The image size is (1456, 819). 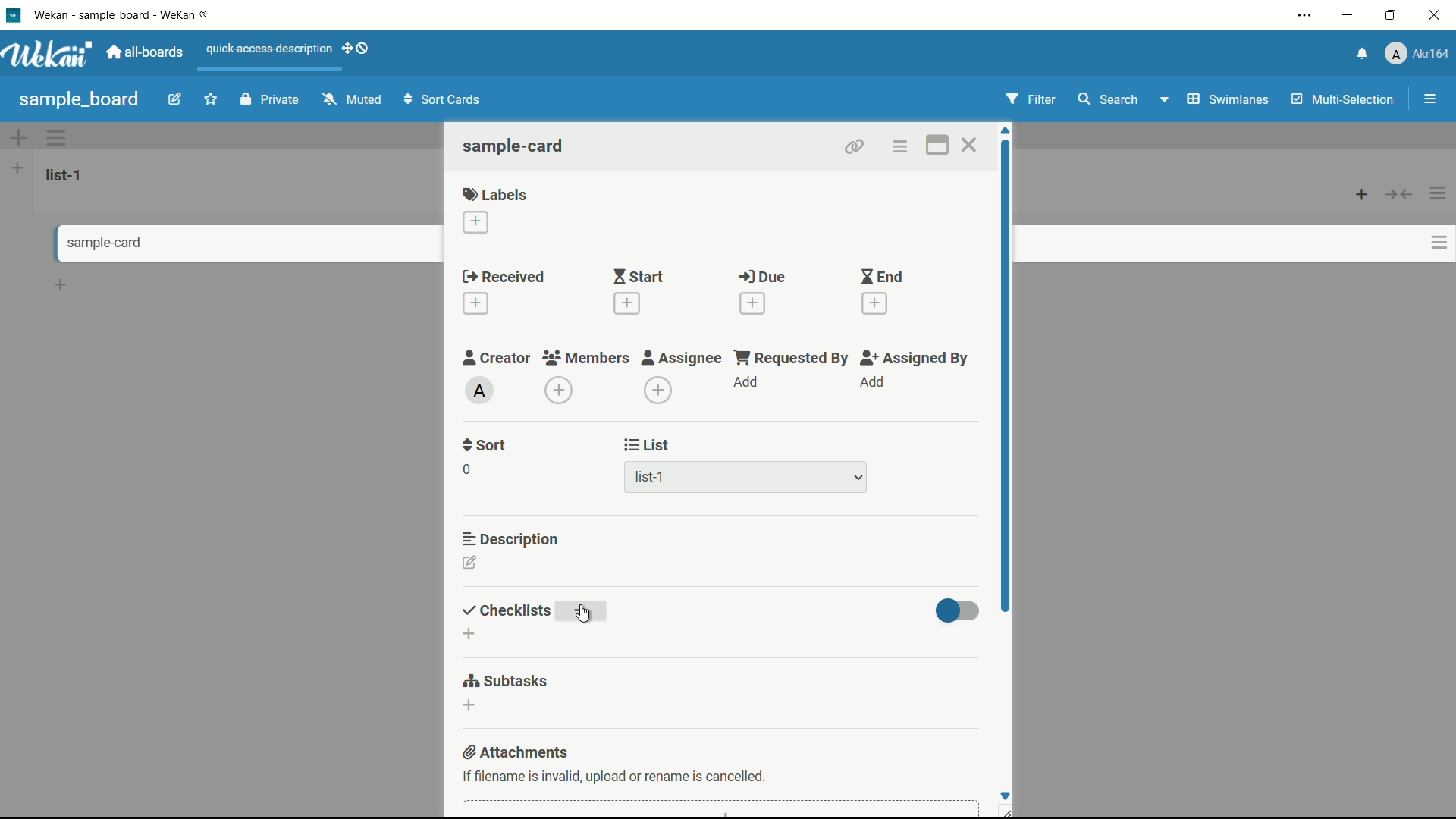 What do you see at coordinates (468, 634) in the screenshot?
I see `add checklist` at bounding box center [468, 634].